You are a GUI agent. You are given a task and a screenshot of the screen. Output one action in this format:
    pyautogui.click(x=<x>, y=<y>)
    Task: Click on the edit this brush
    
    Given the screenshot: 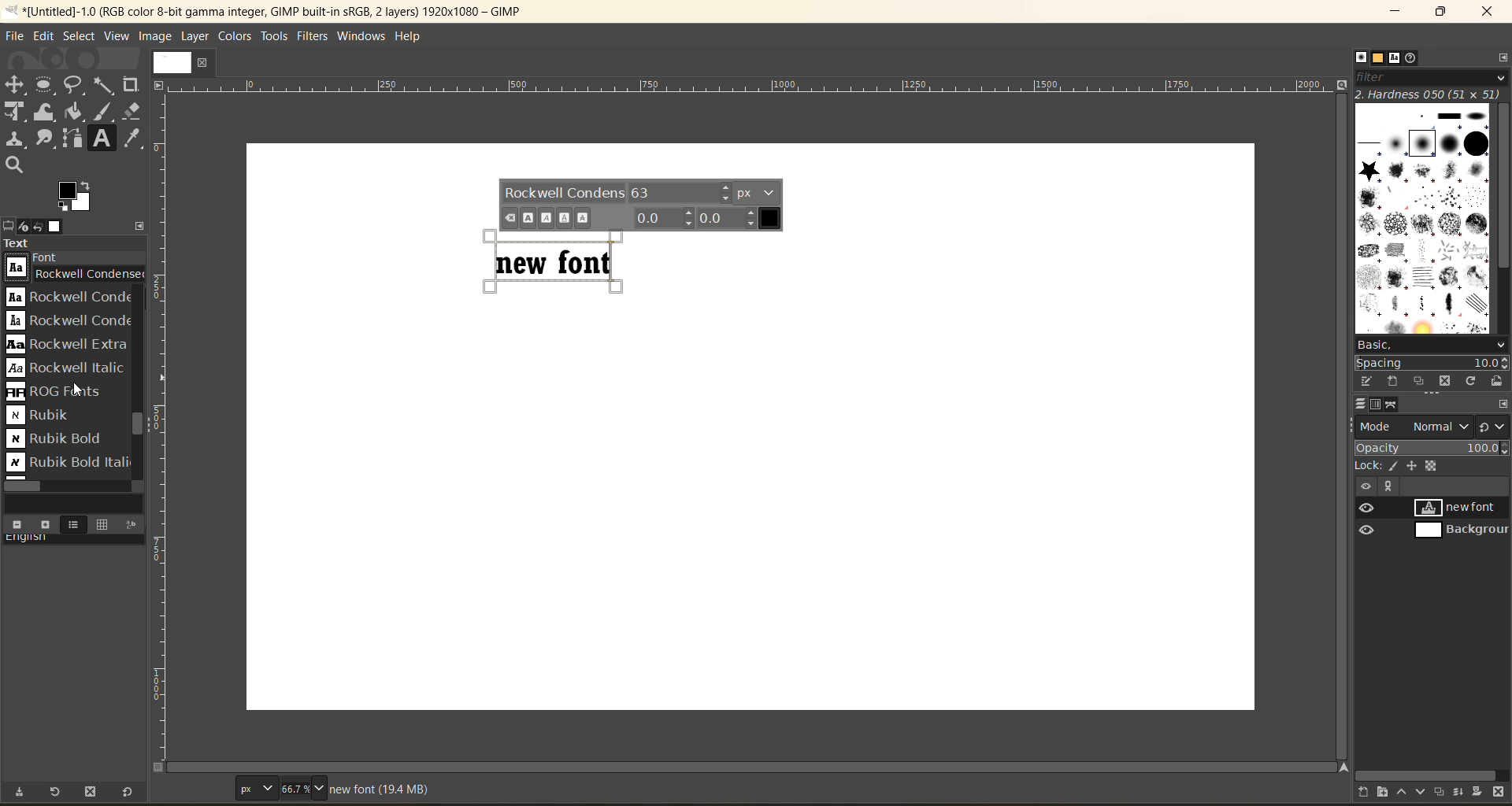 What is the action you would take?
    pyautogui.click(x=1366, y=381)
    